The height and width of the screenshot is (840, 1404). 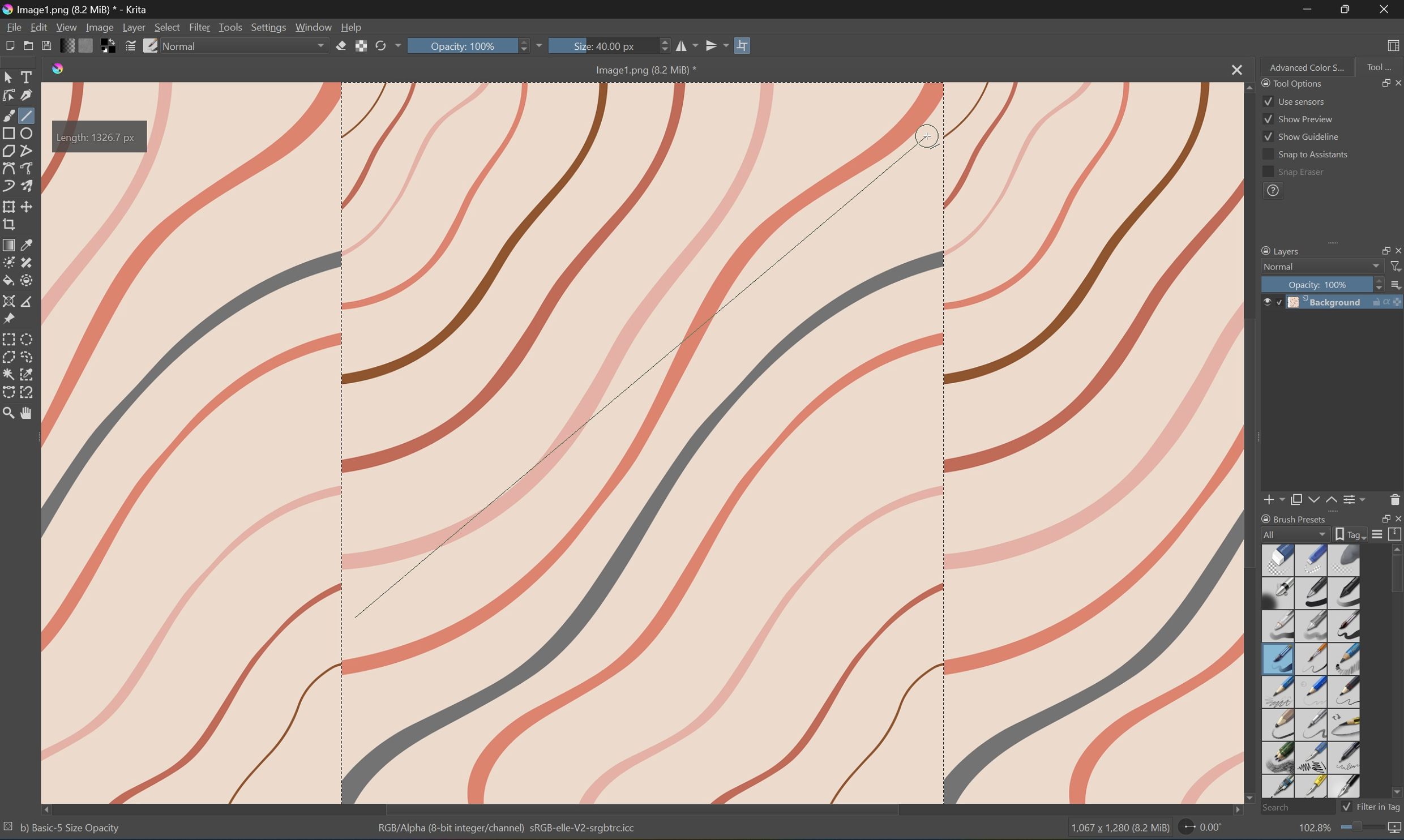 What do you see at coordinates (643, 809) in the screenshot?
I see `Scroll Bar` at bounding box center [643, 809].